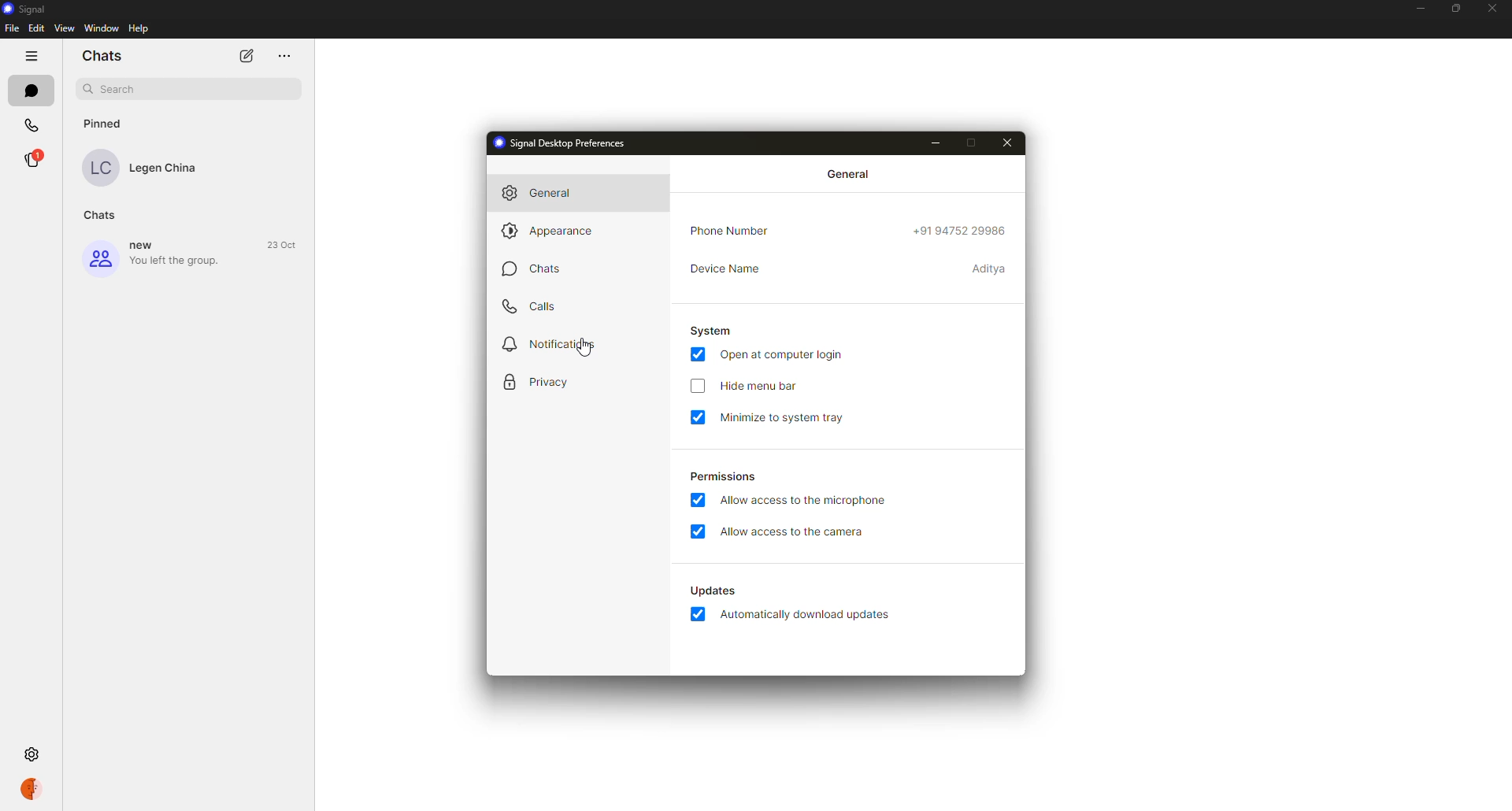  What do you see at coordinates (548, 268) in the screenshot?
I see `chats` at bounding box center [548, 268].